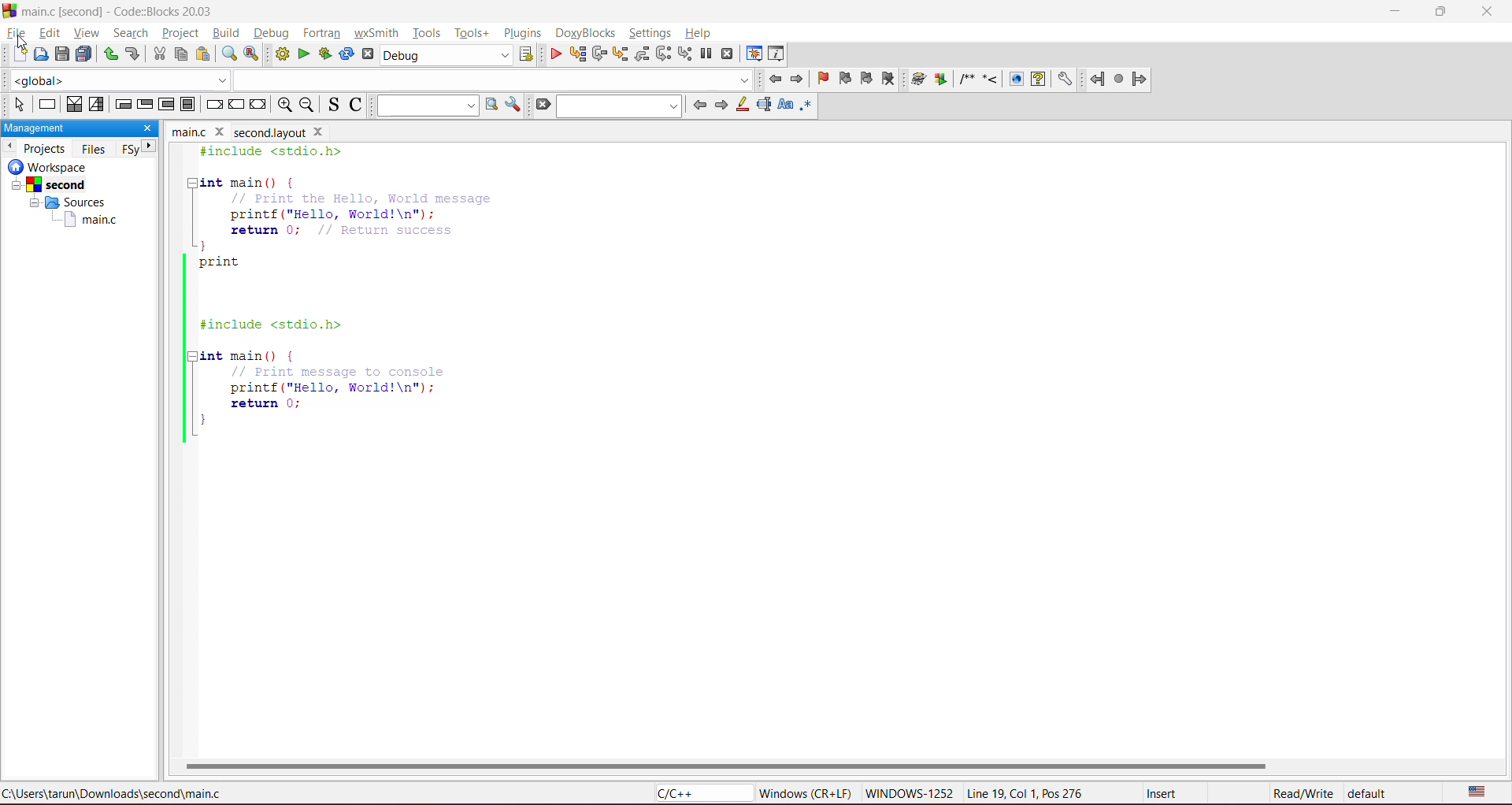 The height and width of the screenshot is (805, 1512). Describe the element at coordinates (371, 55) in the screenshot. I see `abort` at that location.